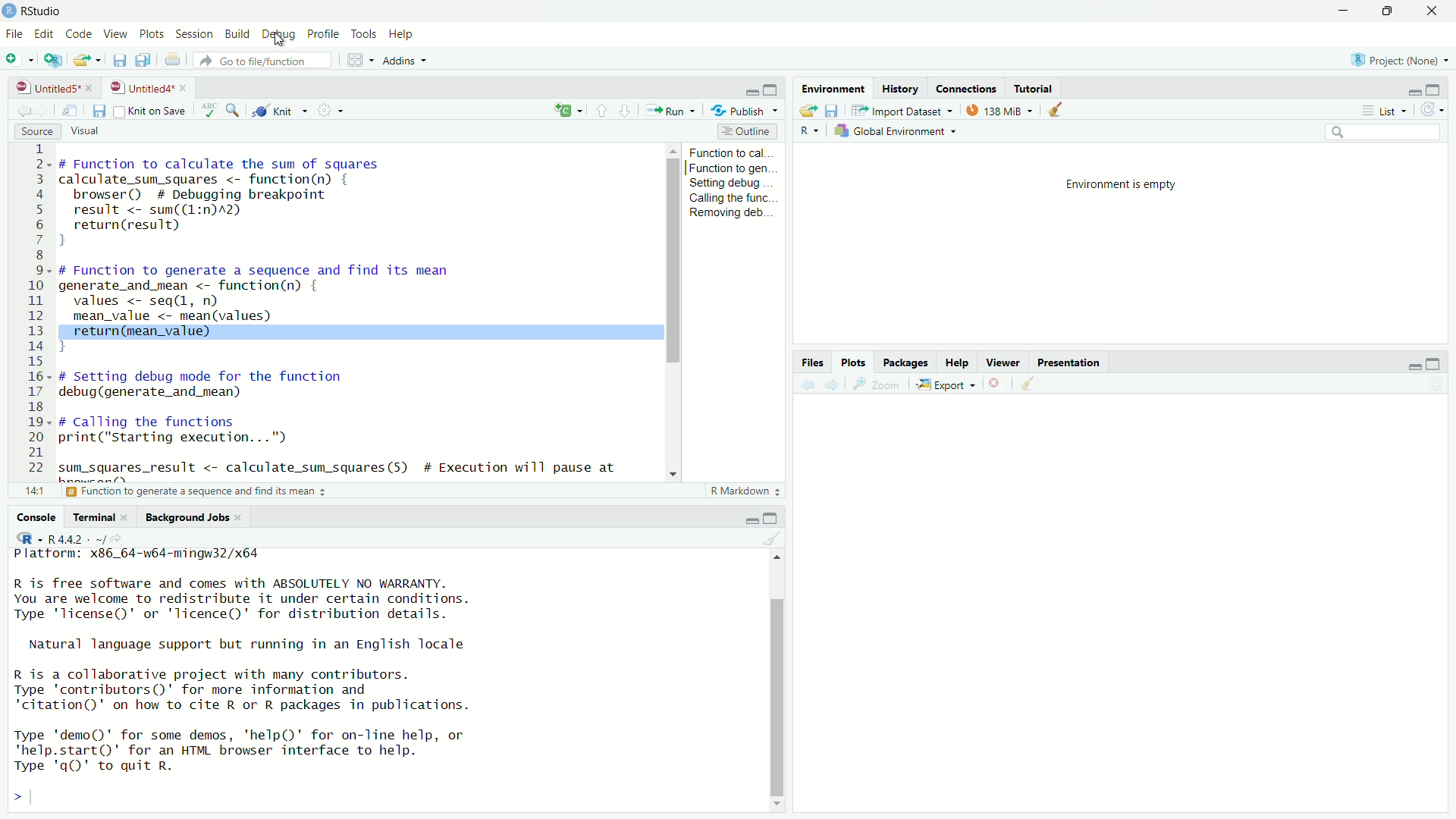 This screenshot has height=819, width=1456. I want to click on environment, so click(832, 86).